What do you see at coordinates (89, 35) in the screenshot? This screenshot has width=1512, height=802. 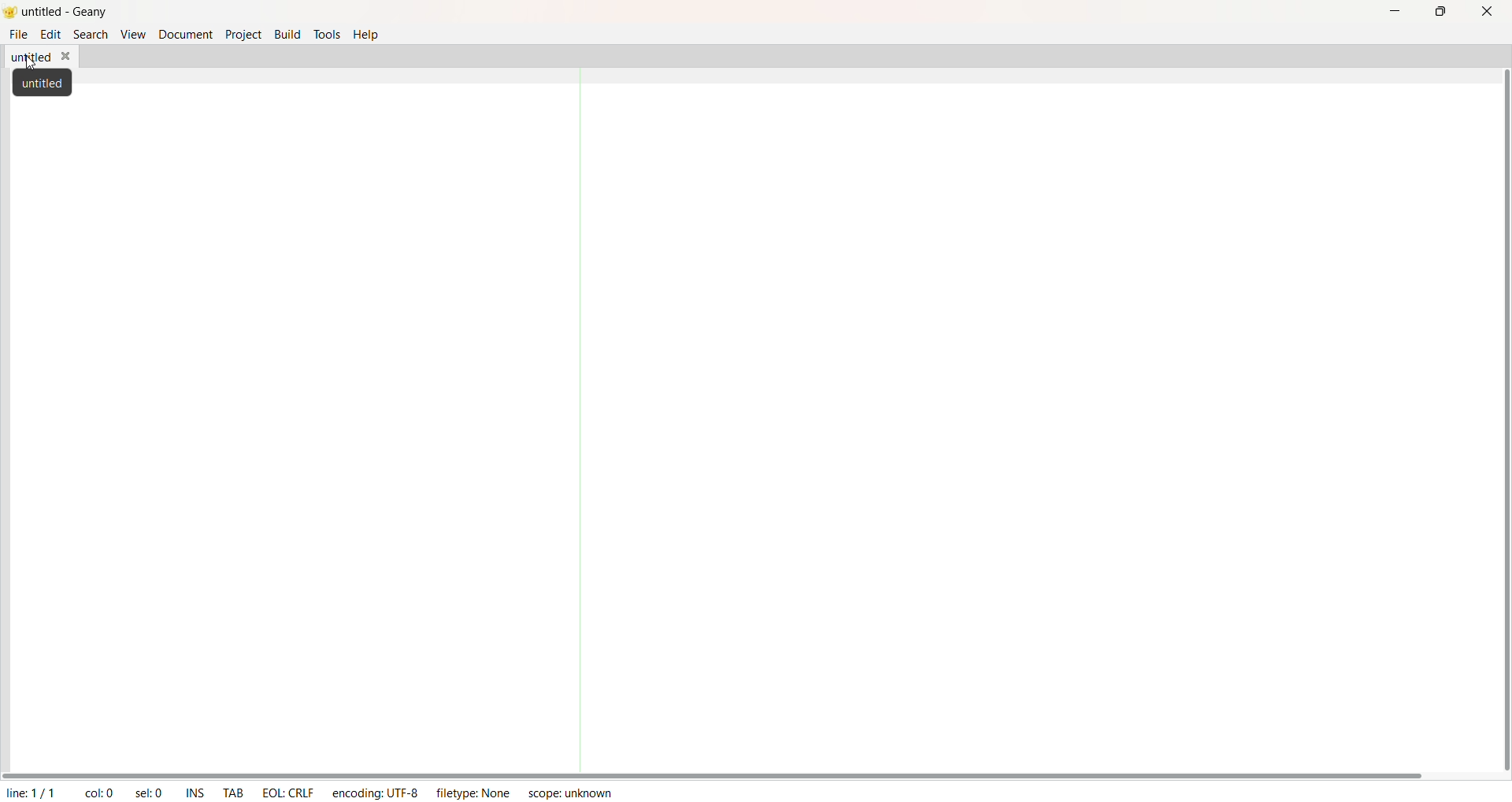 I see `Search` at bounding box center [89, 35].